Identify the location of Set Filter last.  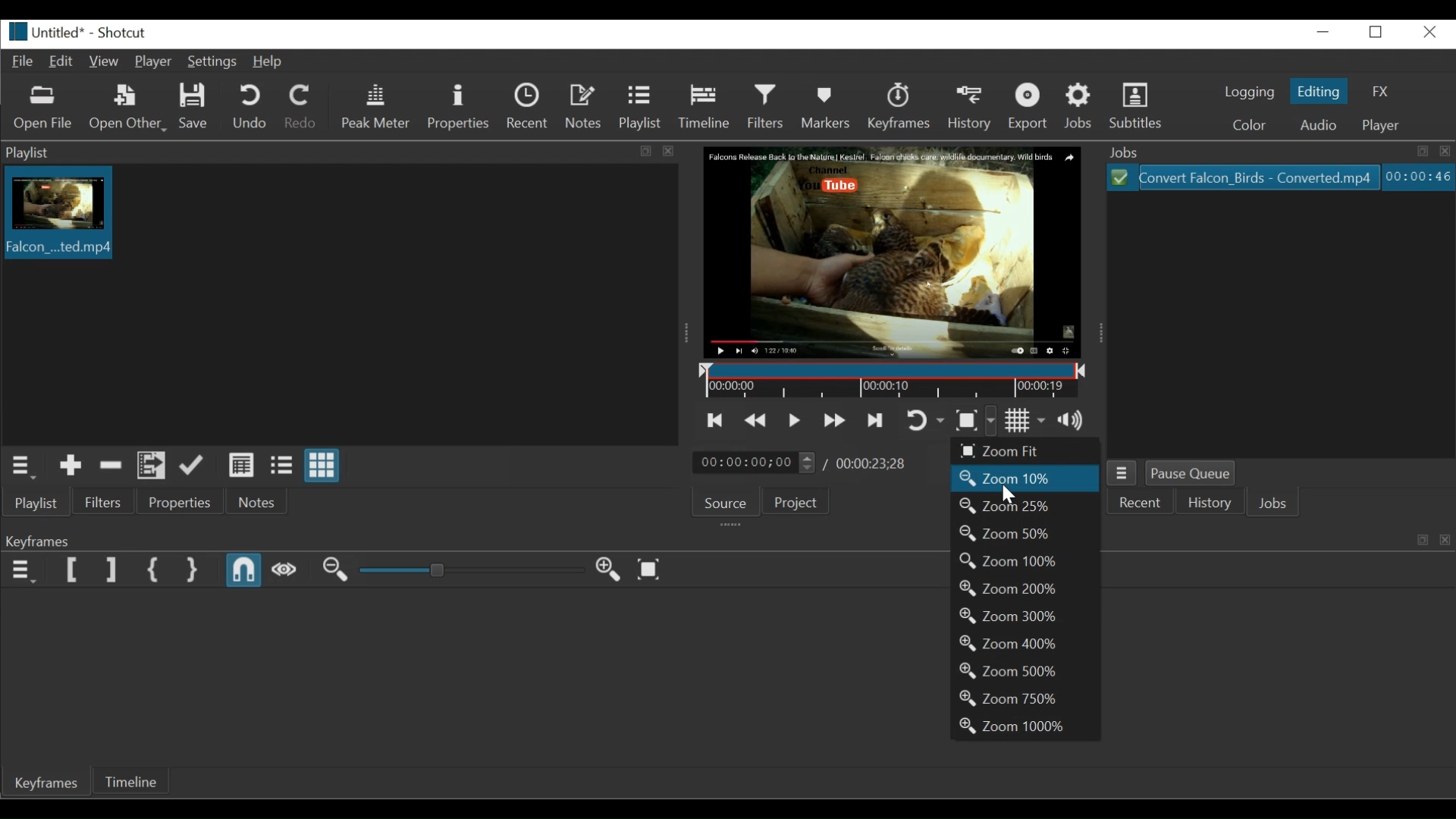
(110, 571).